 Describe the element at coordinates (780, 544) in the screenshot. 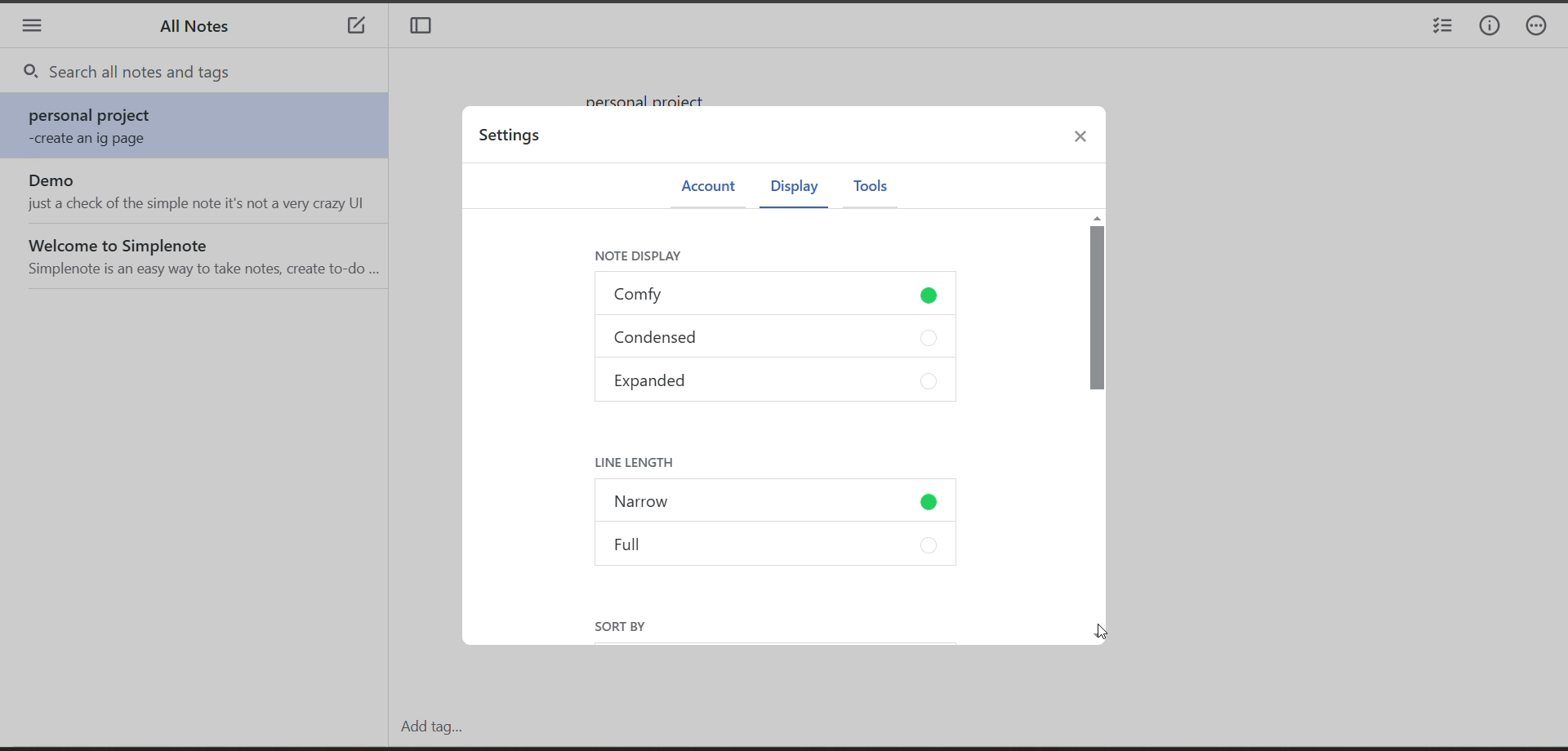

I see `full` at that location.